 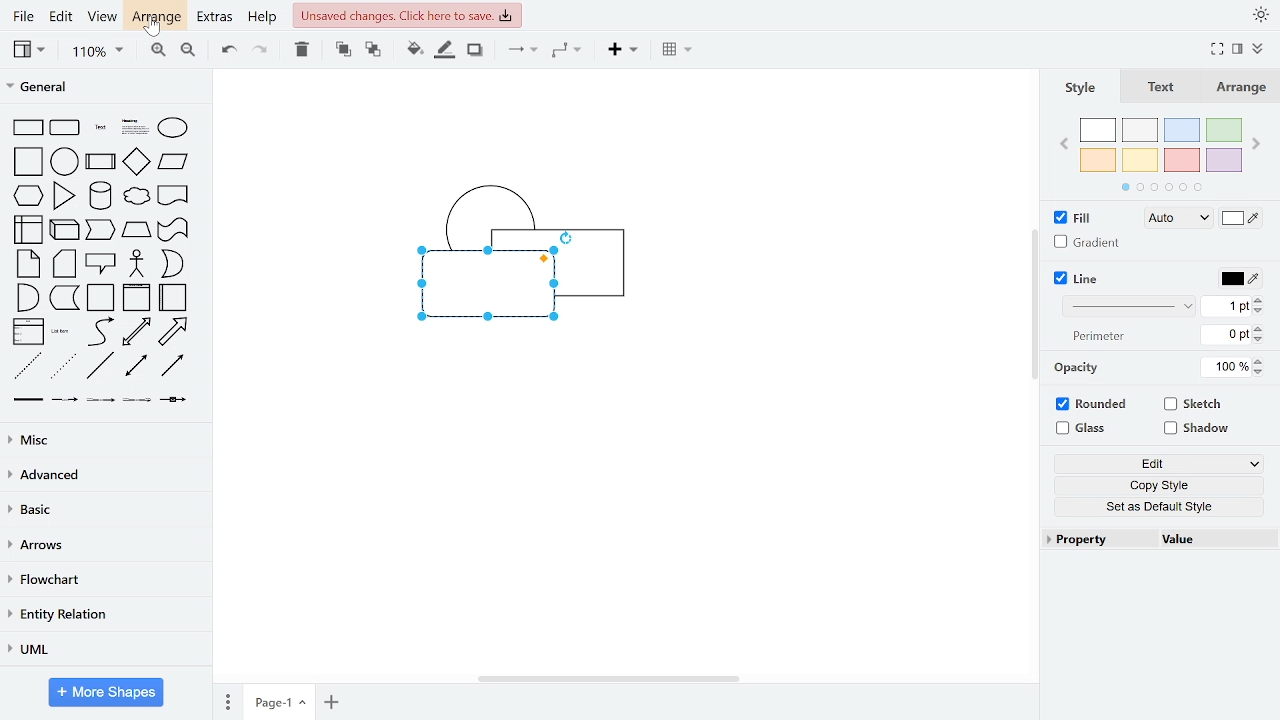 What do you see at coordinates (519, 259) in the screenshot?
I see `diagram` at bounding box center [519, 259].